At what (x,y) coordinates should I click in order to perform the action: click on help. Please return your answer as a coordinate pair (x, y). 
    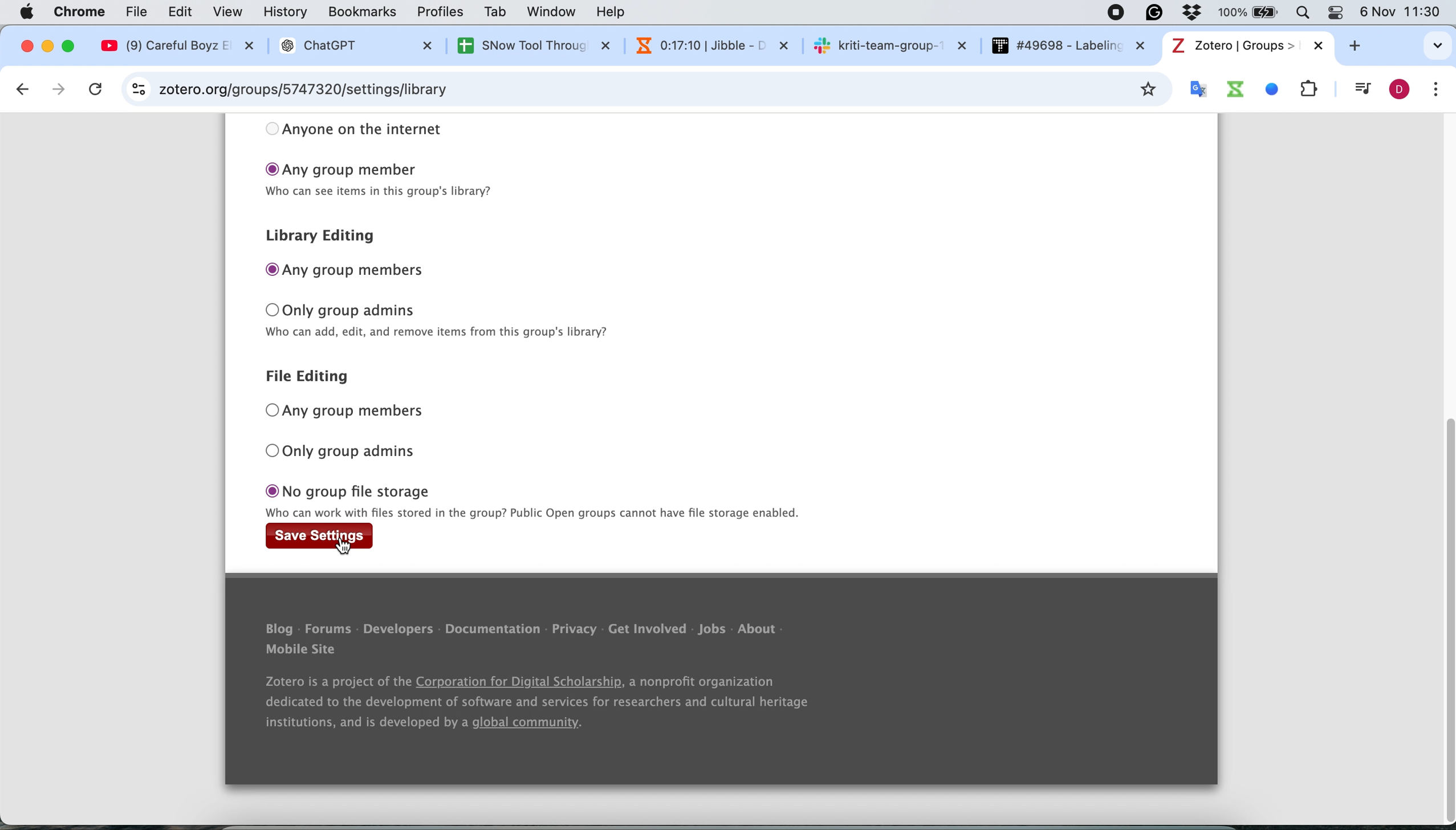
    Looking at the image, I should click on (616, 11).